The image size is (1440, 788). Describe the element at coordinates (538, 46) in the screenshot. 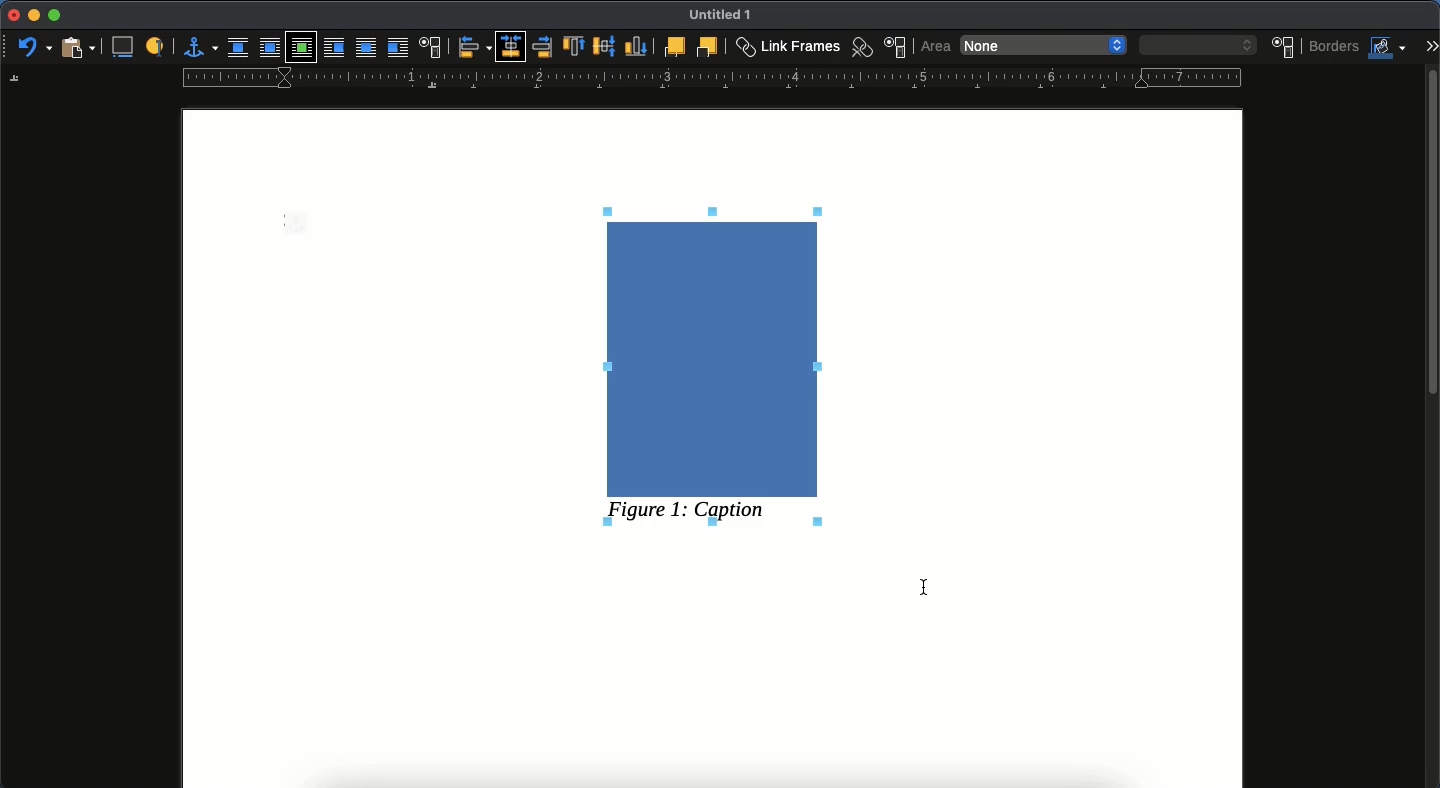

I see `right` at that location.